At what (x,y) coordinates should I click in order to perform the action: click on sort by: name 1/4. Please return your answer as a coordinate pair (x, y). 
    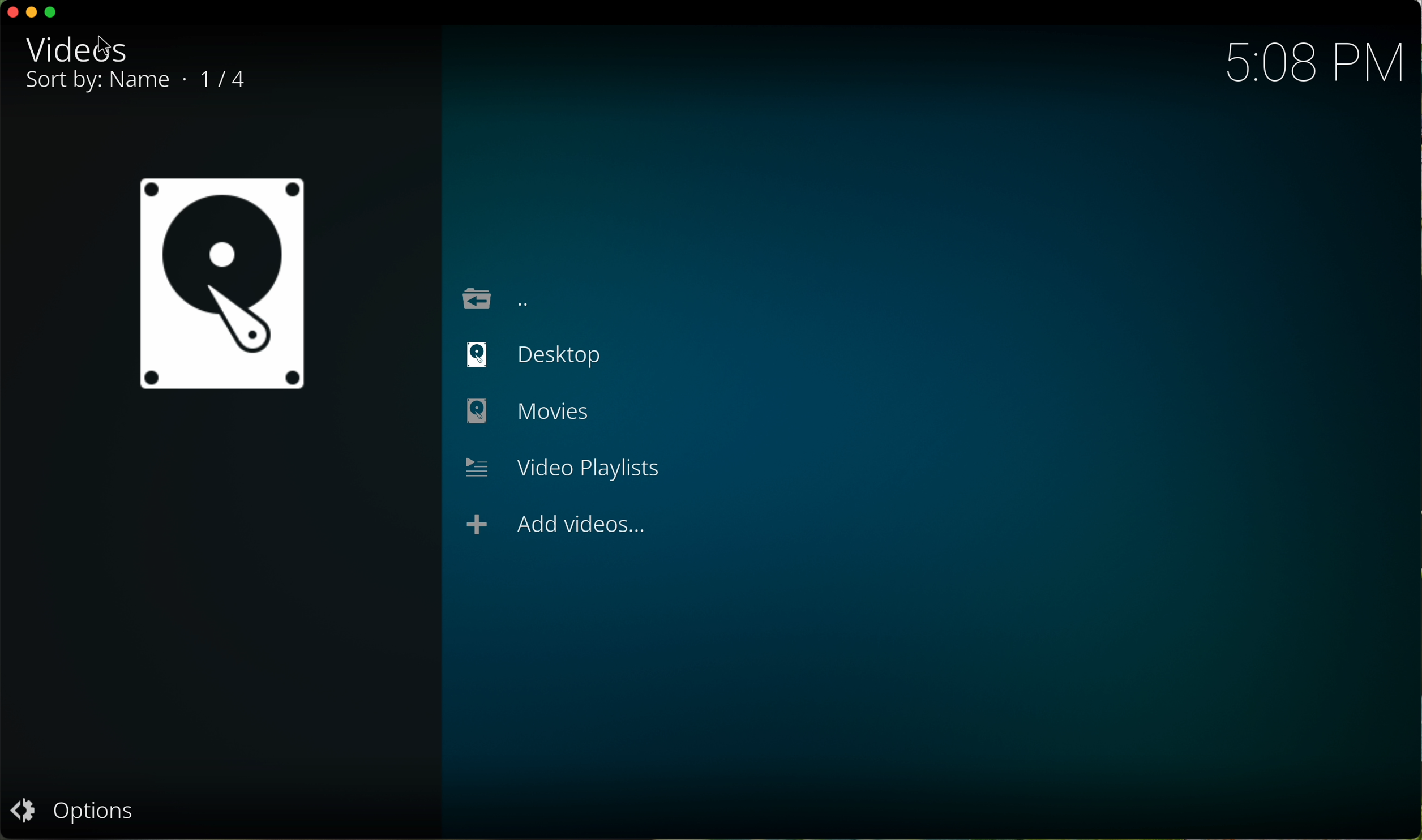
    Looking at the image, I should click on (143, 83).